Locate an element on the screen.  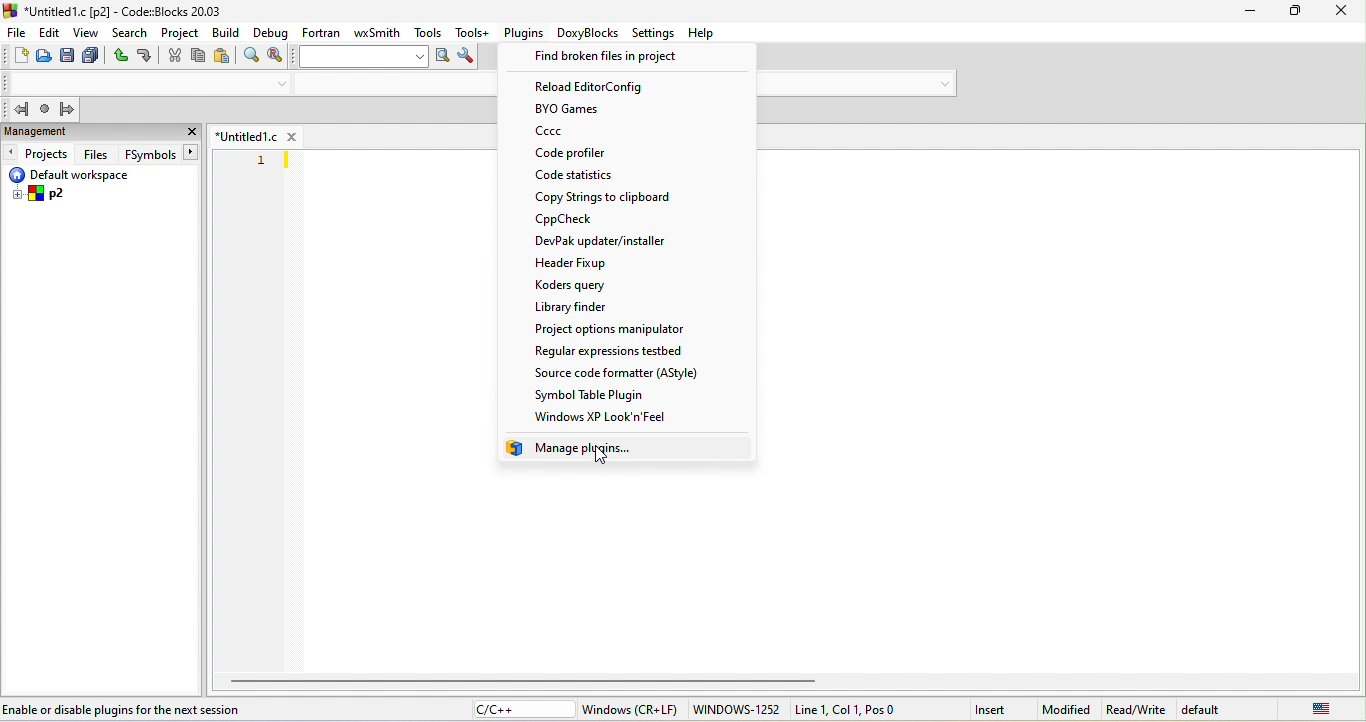
jump forward is located at coordinates (67, 109).